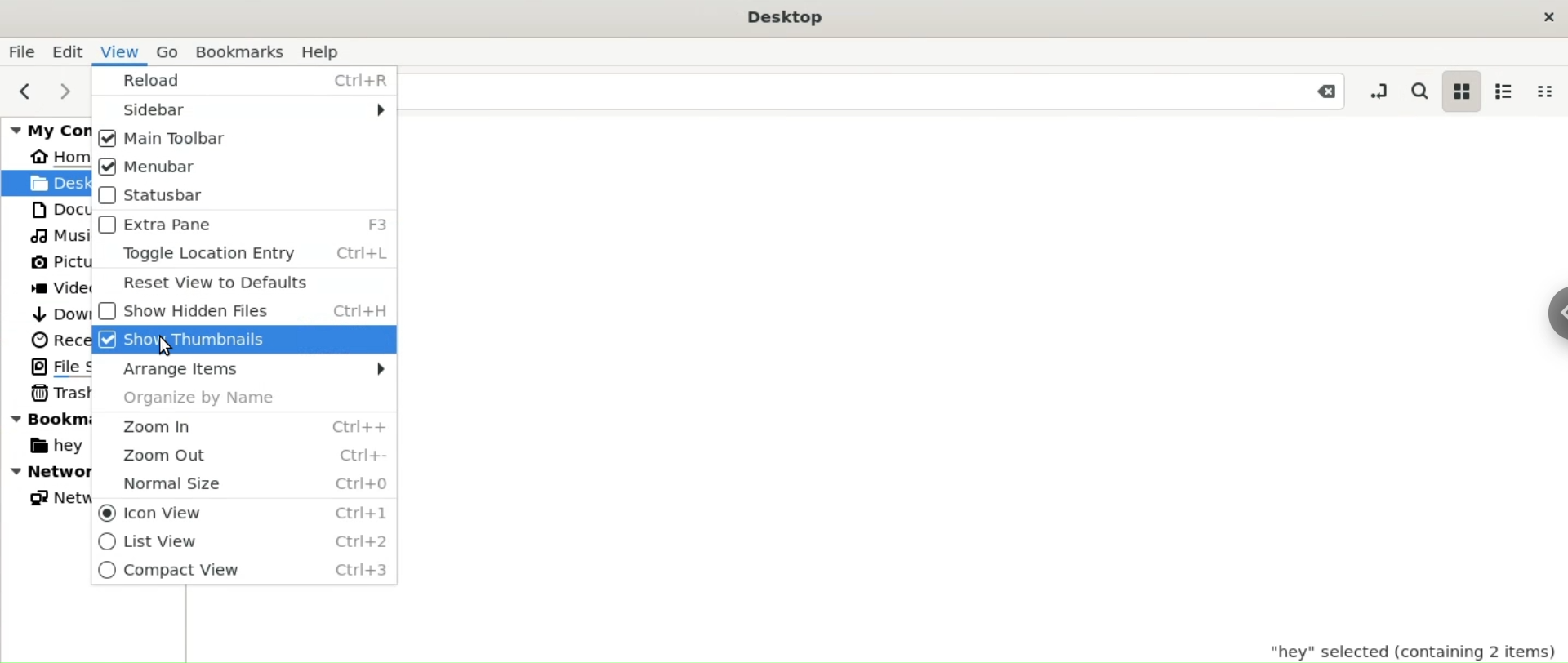 The image size is (1568, 663). I want to click on View, so click(120, 50).